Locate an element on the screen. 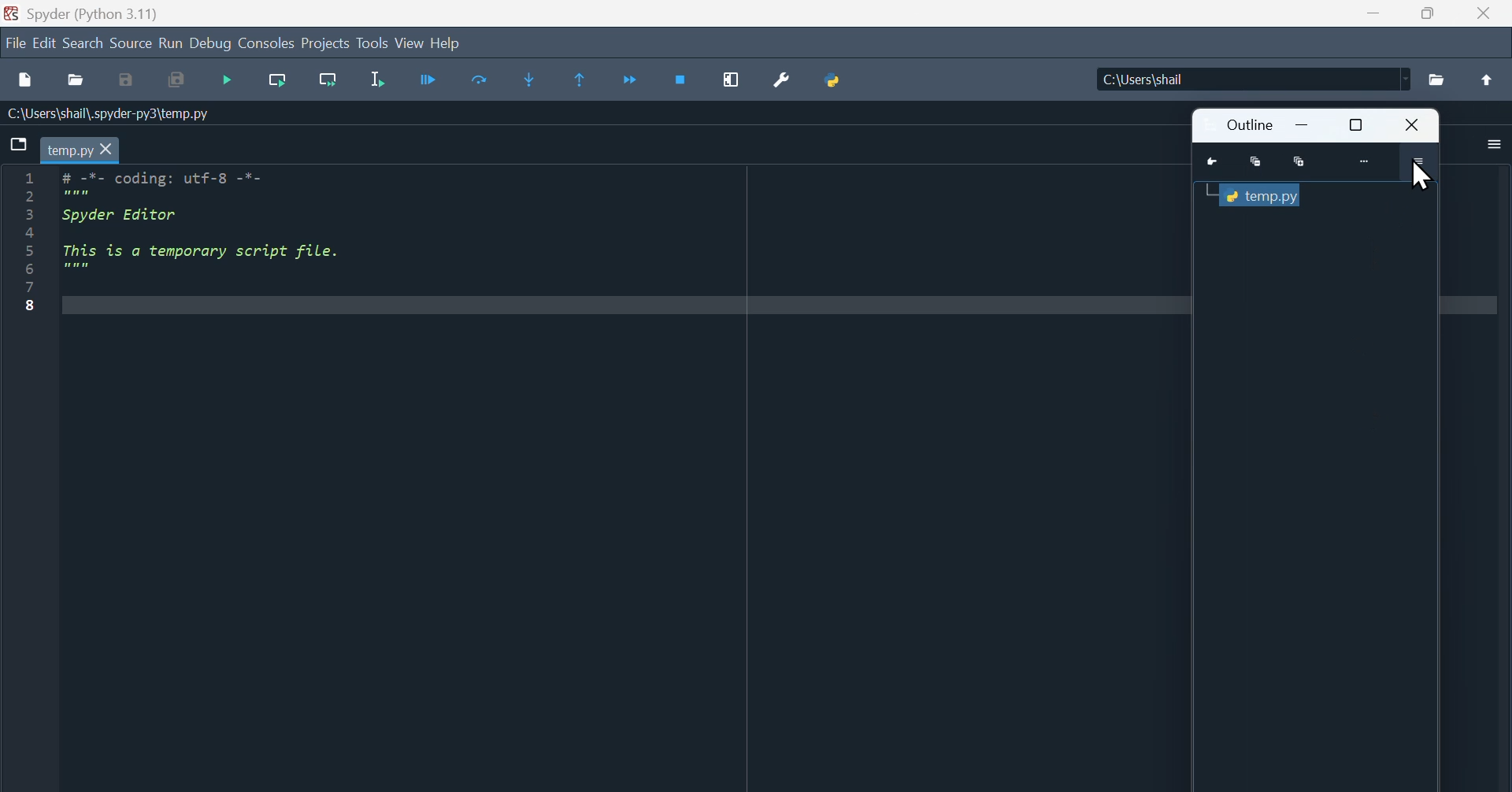 Image resolution: width=1512 pixels, height=792 pixels. Maximize is located at coordinates (1426, 13).